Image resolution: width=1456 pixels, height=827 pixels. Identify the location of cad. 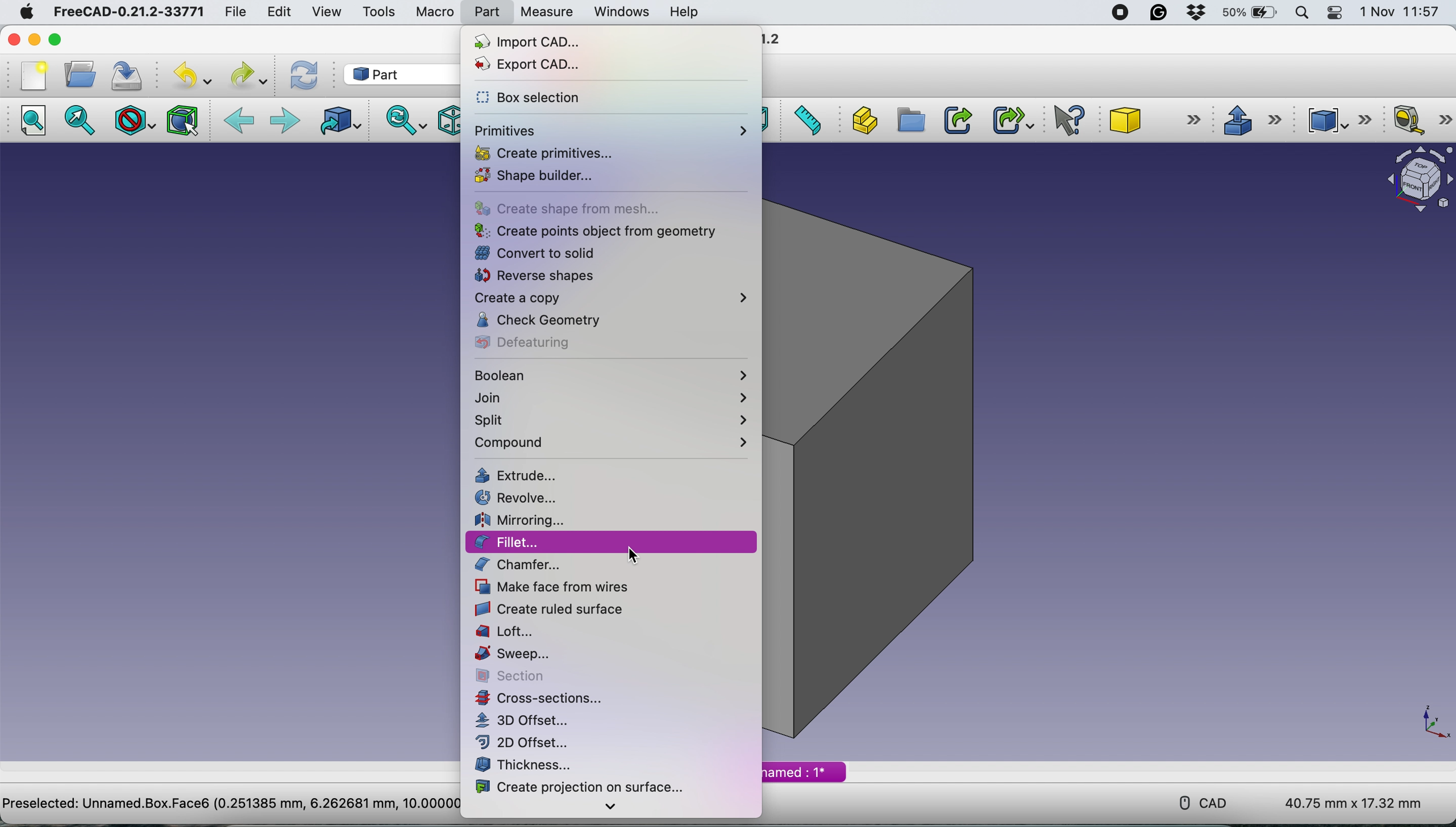
(1195, 801).